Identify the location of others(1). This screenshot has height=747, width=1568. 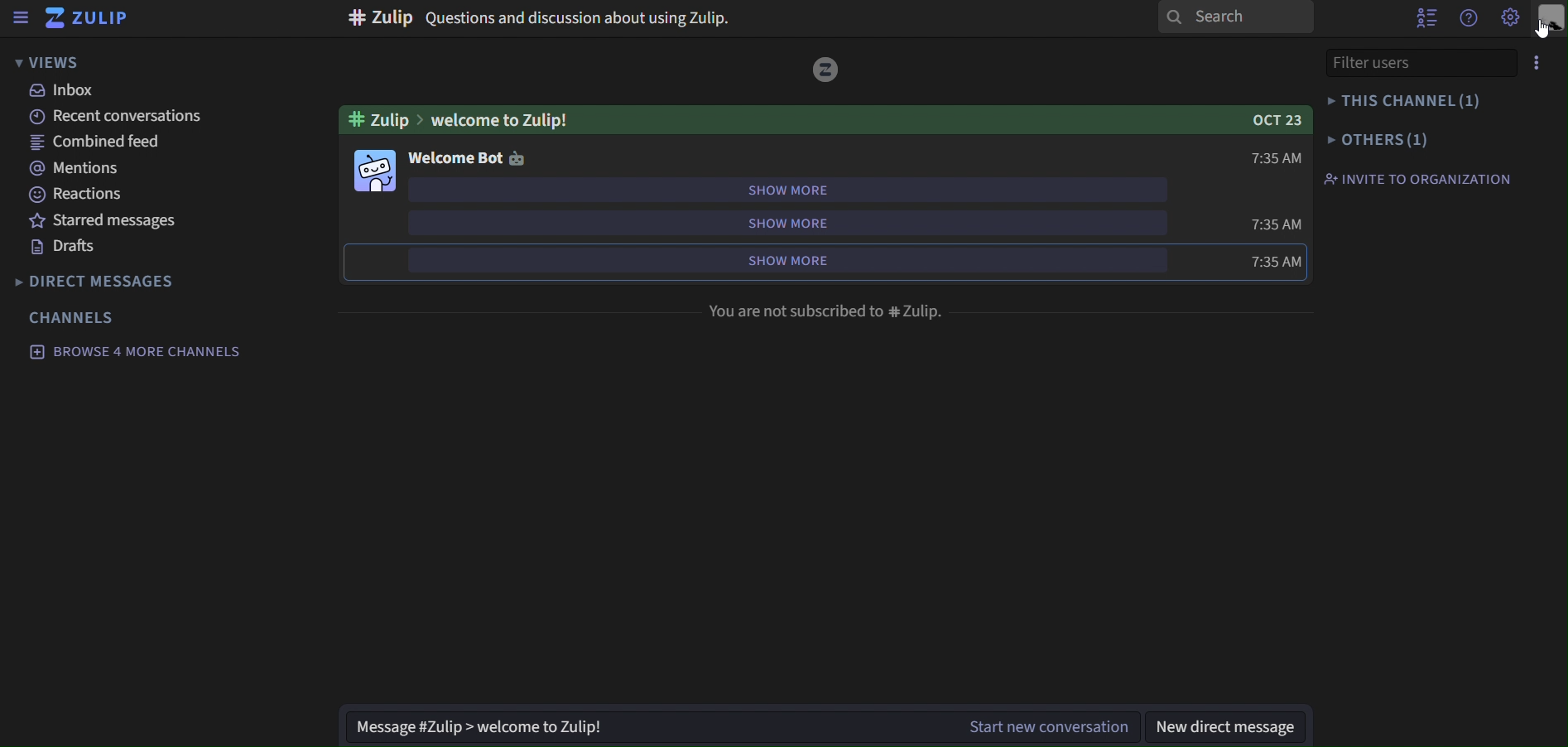
(1377, 139).